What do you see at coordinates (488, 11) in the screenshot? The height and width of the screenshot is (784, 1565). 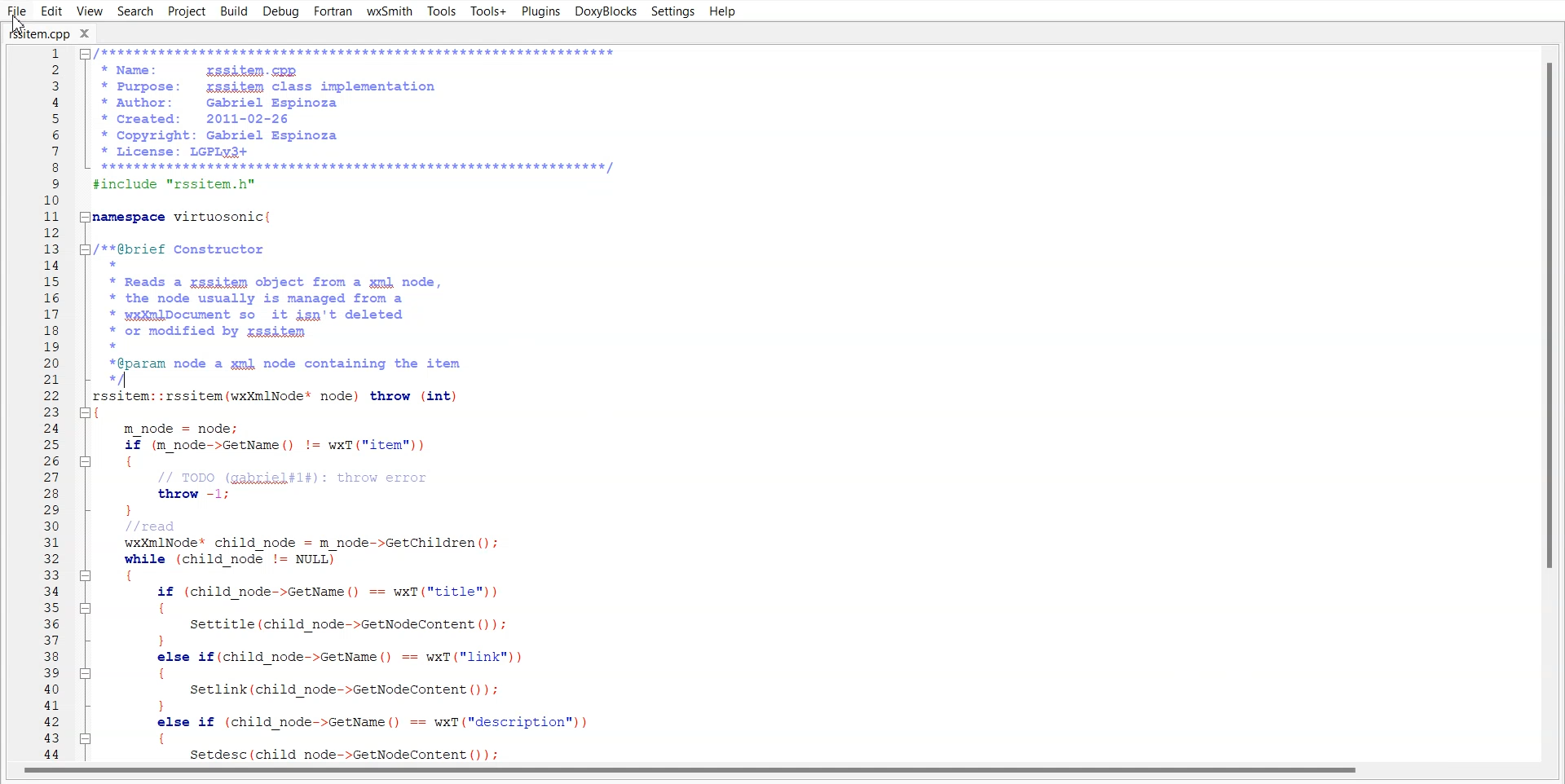 I see `Tools+` at bounding box center [488, 11].